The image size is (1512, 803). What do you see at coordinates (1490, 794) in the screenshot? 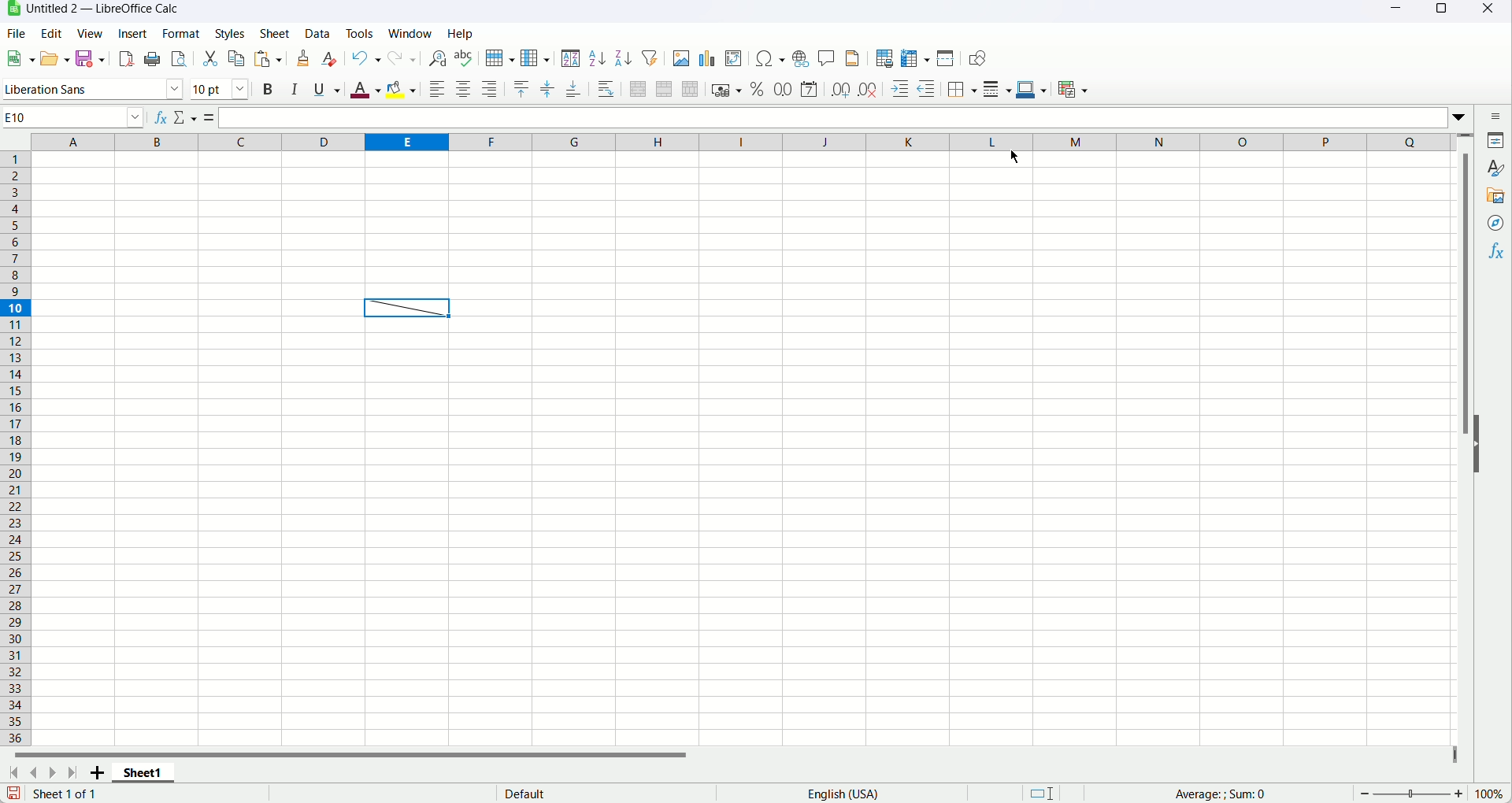
I see `Zoom percent` at bounding box center [1490, 794].